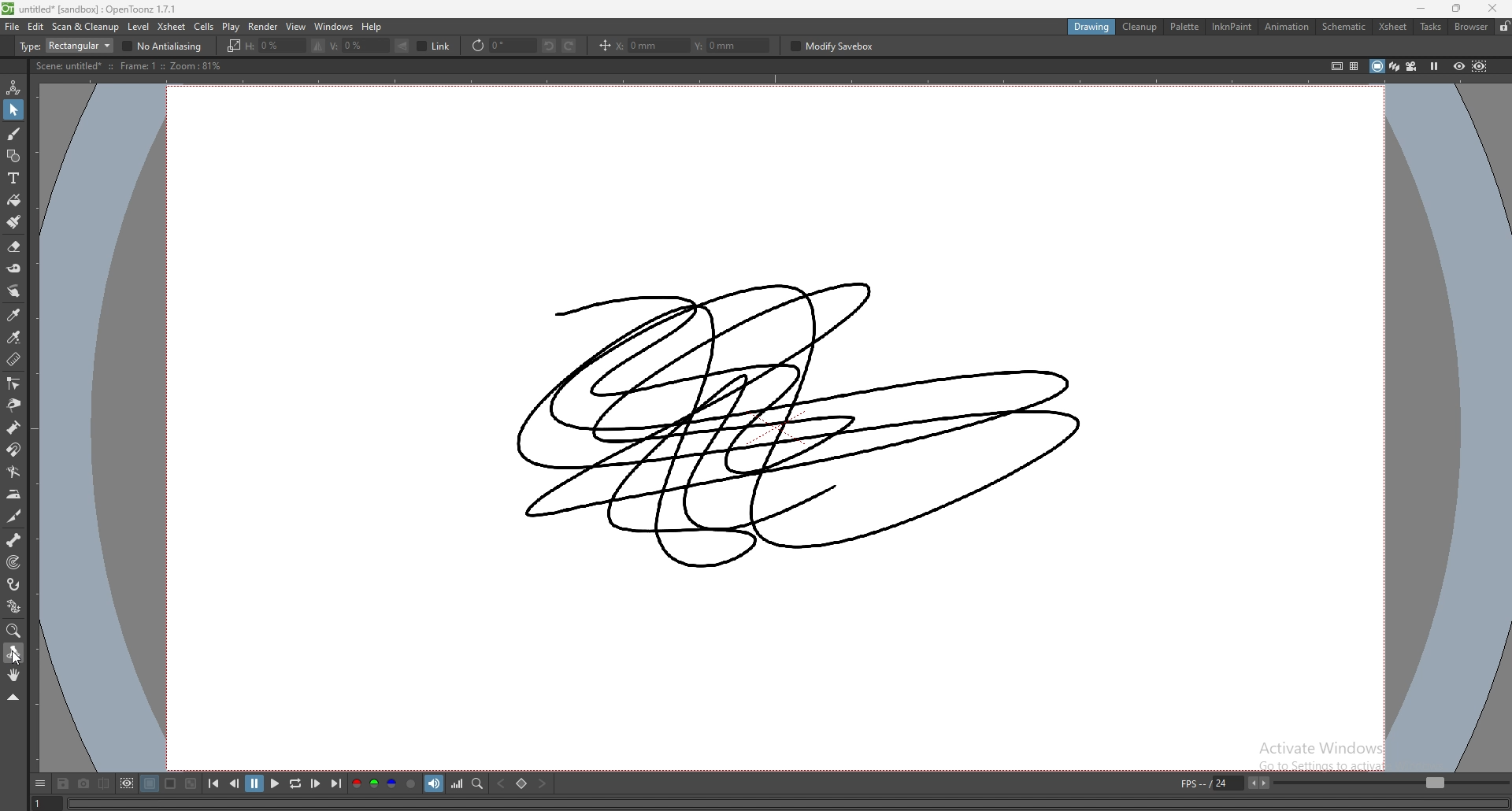 The image size is (1512, 811). Describe the element at coordinates (315, 784) in the screenshot. I see `next frame` at that location.